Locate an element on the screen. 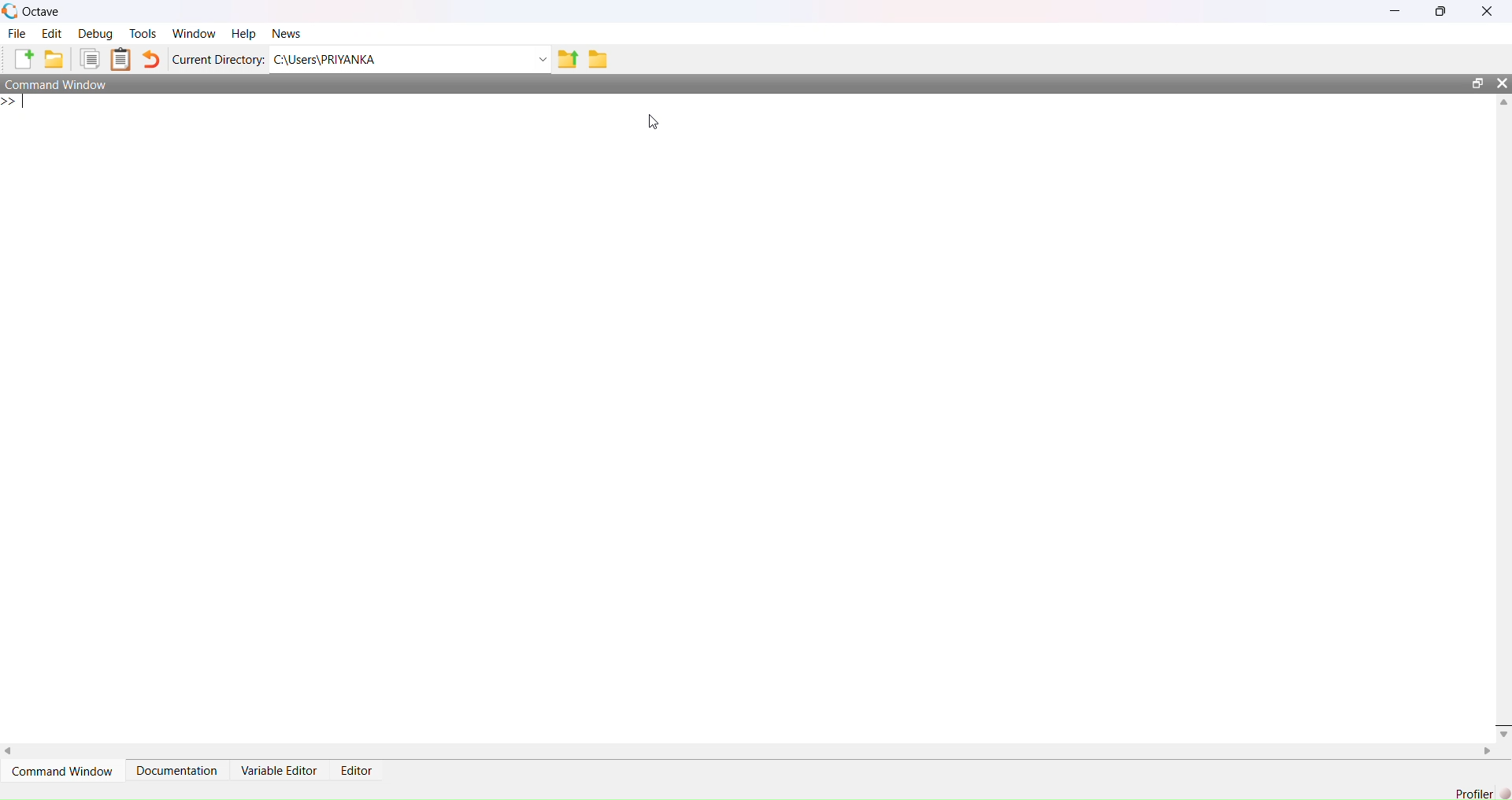 Image resolution: width=1512 pixels, height=800 pixels. Help is located at coordinates (244, 36).